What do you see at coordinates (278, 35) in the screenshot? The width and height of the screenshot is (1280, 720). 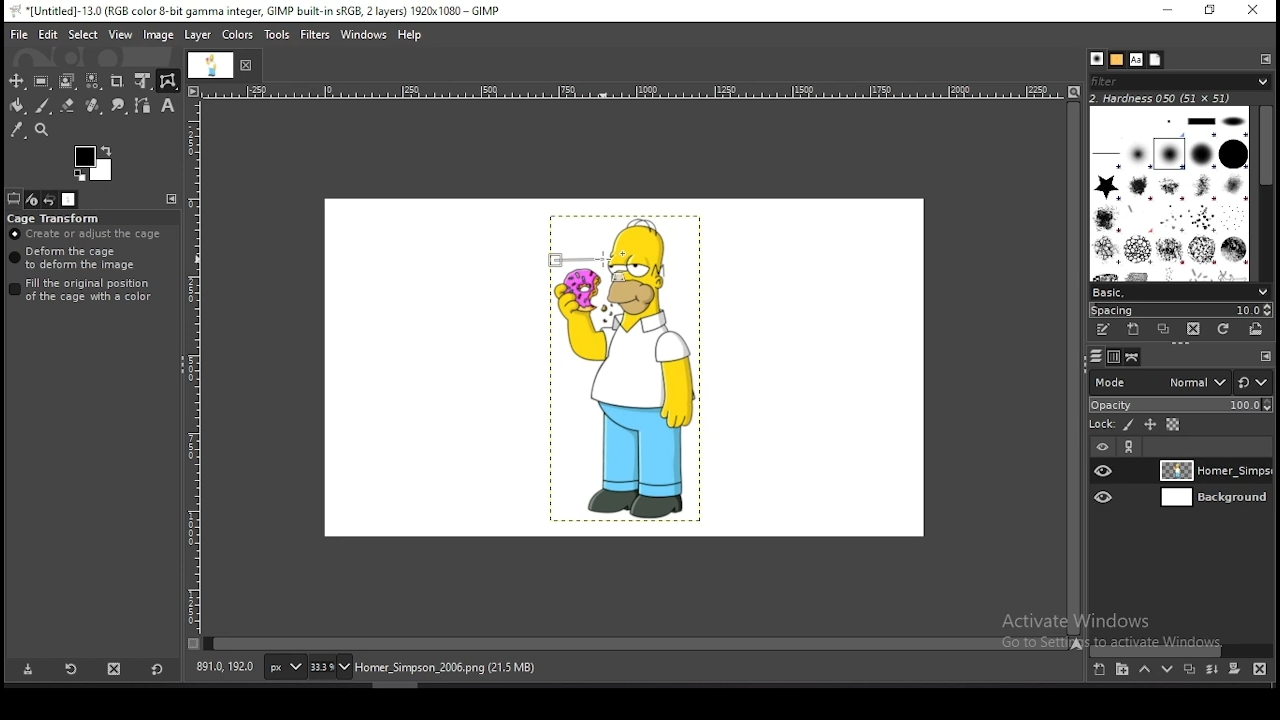 I see `tools` at bounding box center [278, 35].